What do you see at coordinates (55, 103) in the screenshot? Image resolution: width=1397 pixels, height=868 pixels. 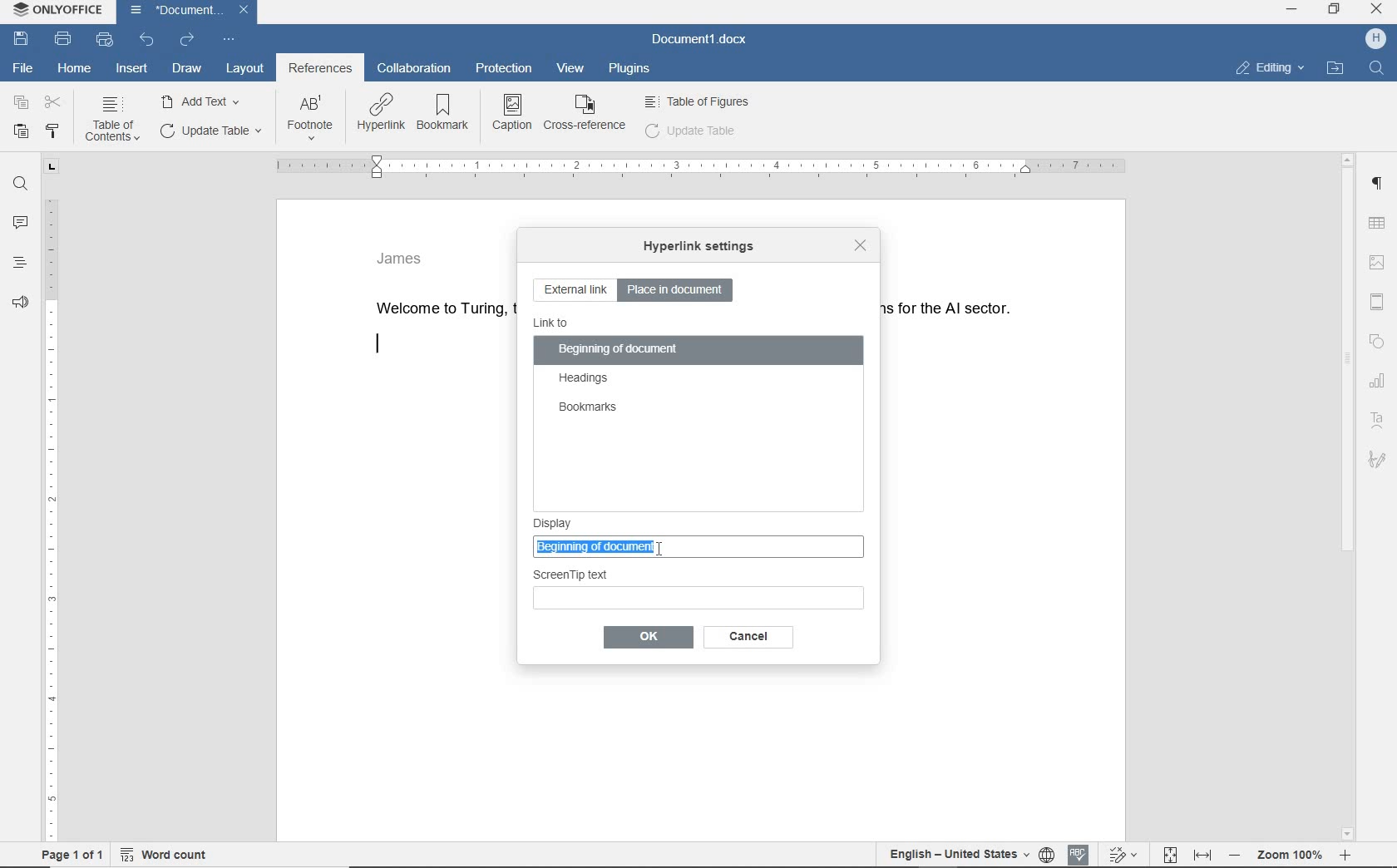 I see `cut` at bounding box center [55, 103].